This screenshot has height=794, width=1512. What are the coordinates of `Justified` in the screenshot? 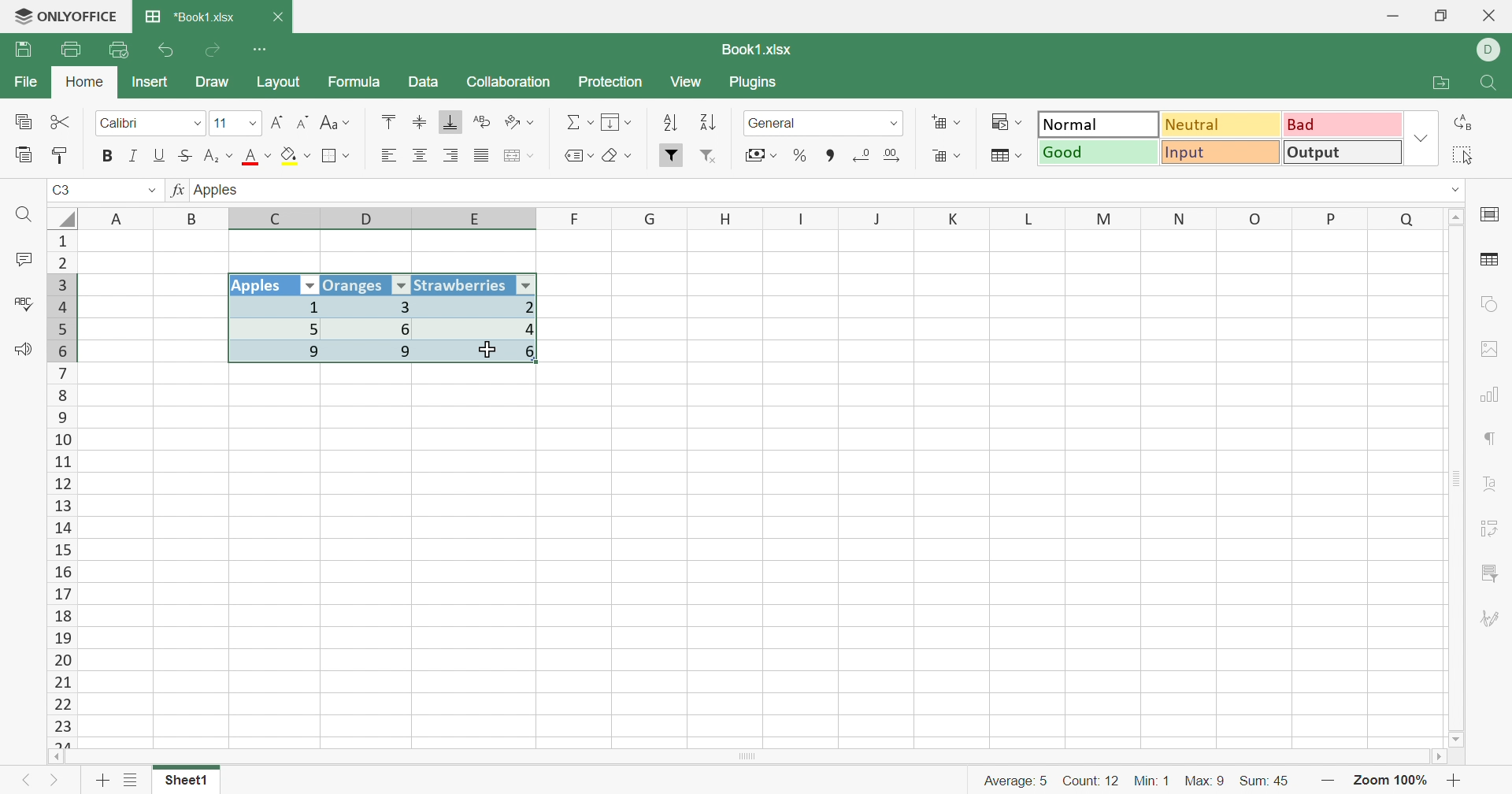 It's located at (480, 156).